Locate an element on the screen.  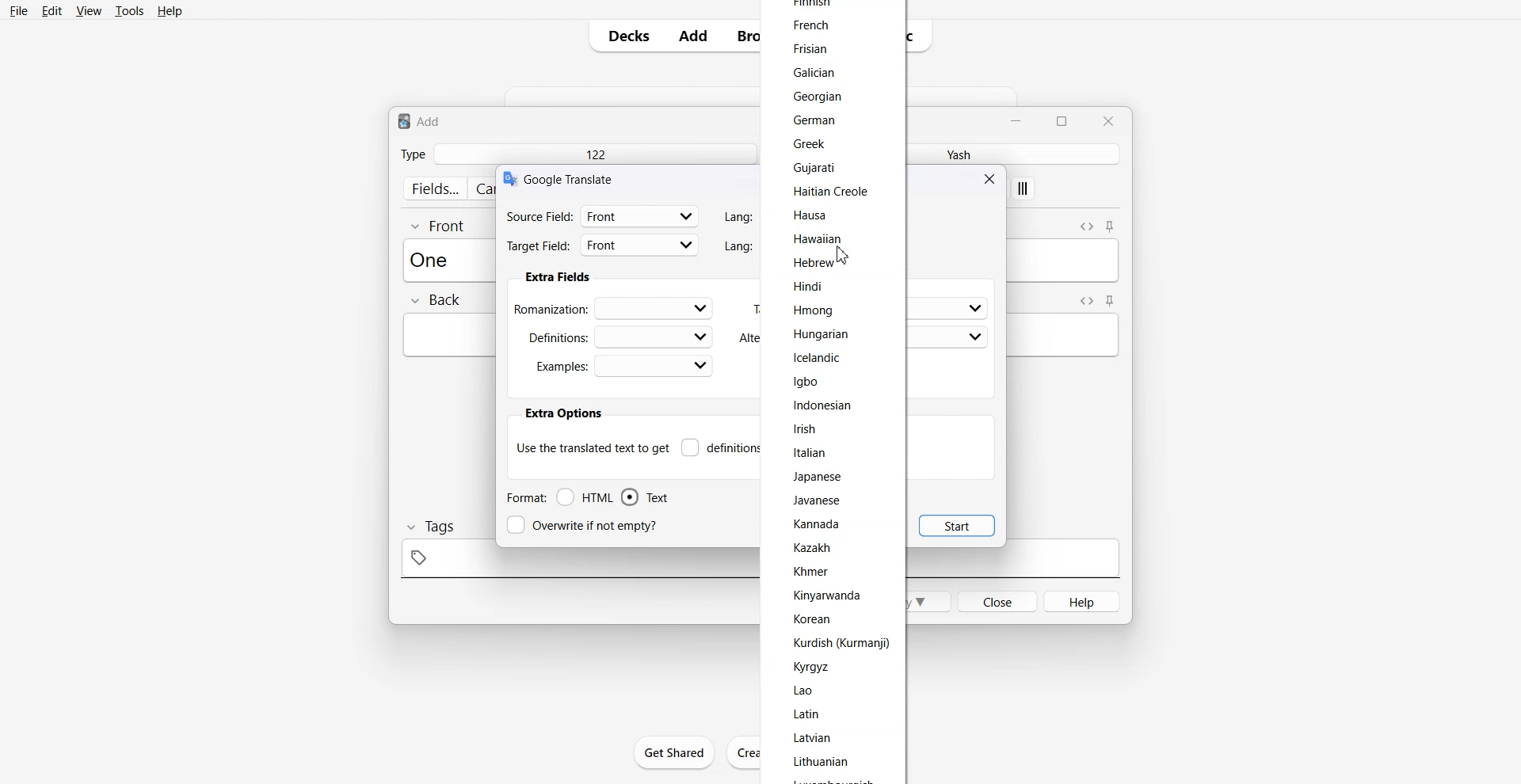
File is located at coordinates (20, 10).